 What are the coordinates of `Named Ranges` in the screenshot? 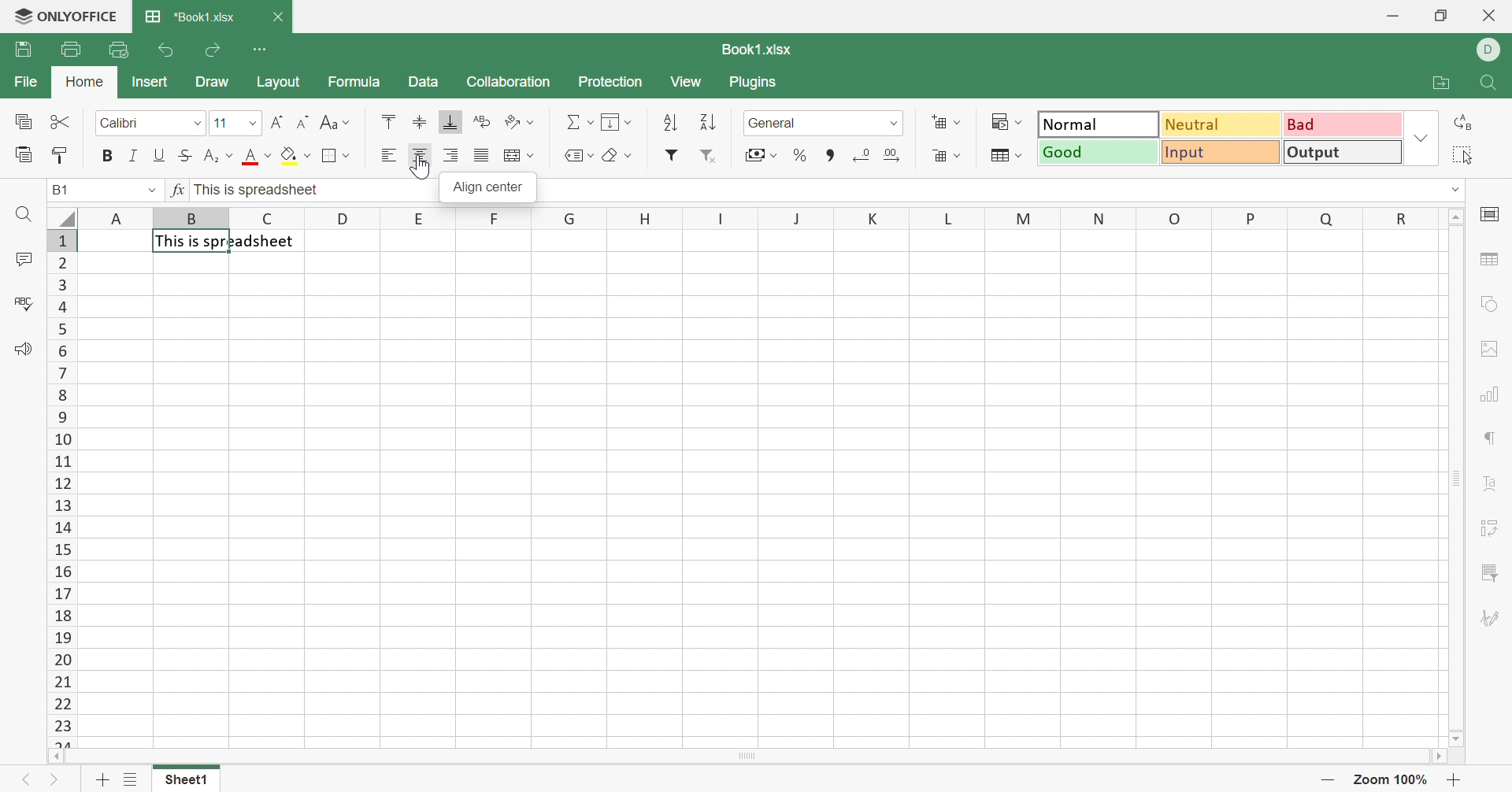 It's located at (571, 157).